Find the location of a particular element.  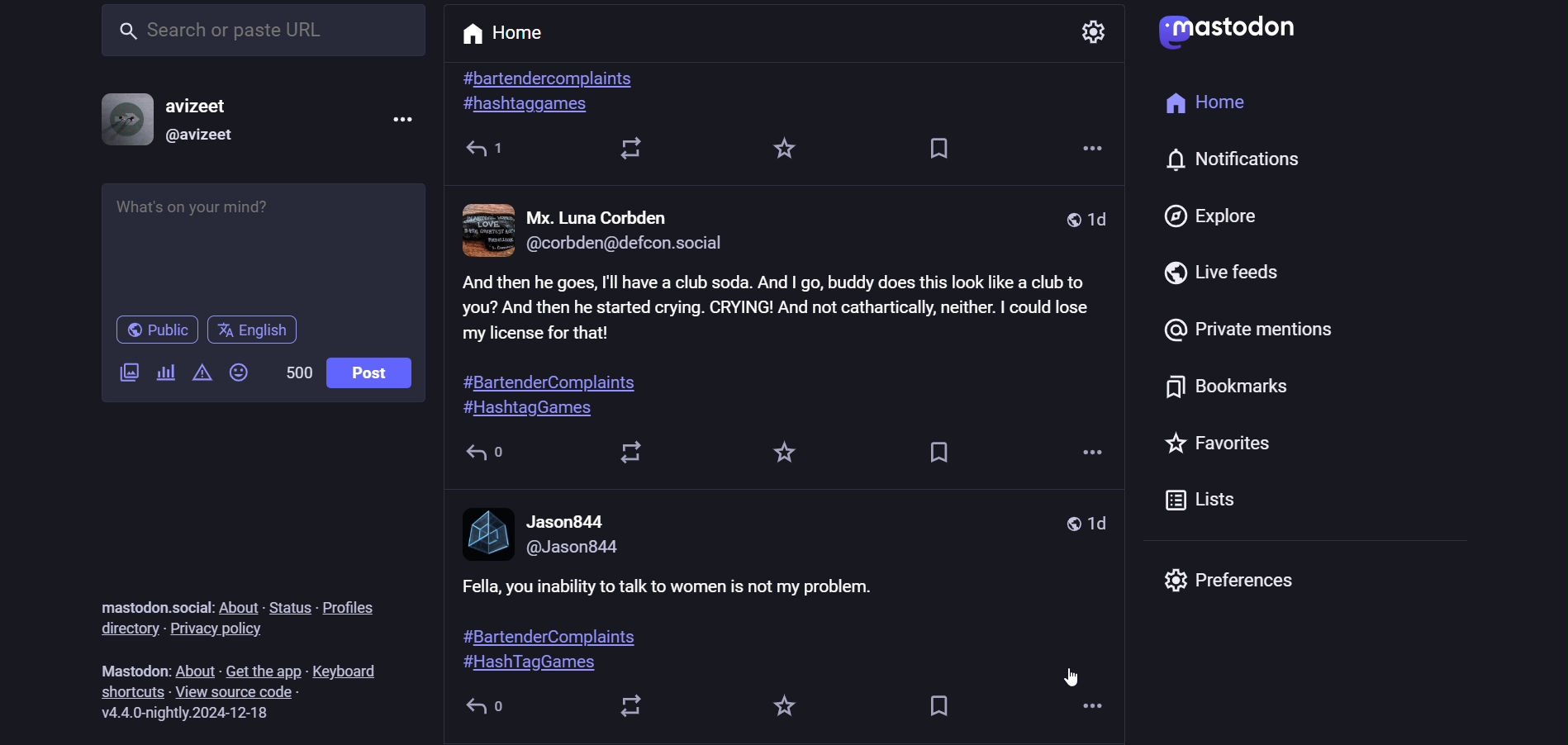

@corbden@defcon.social is located at coordinates (630, 244).